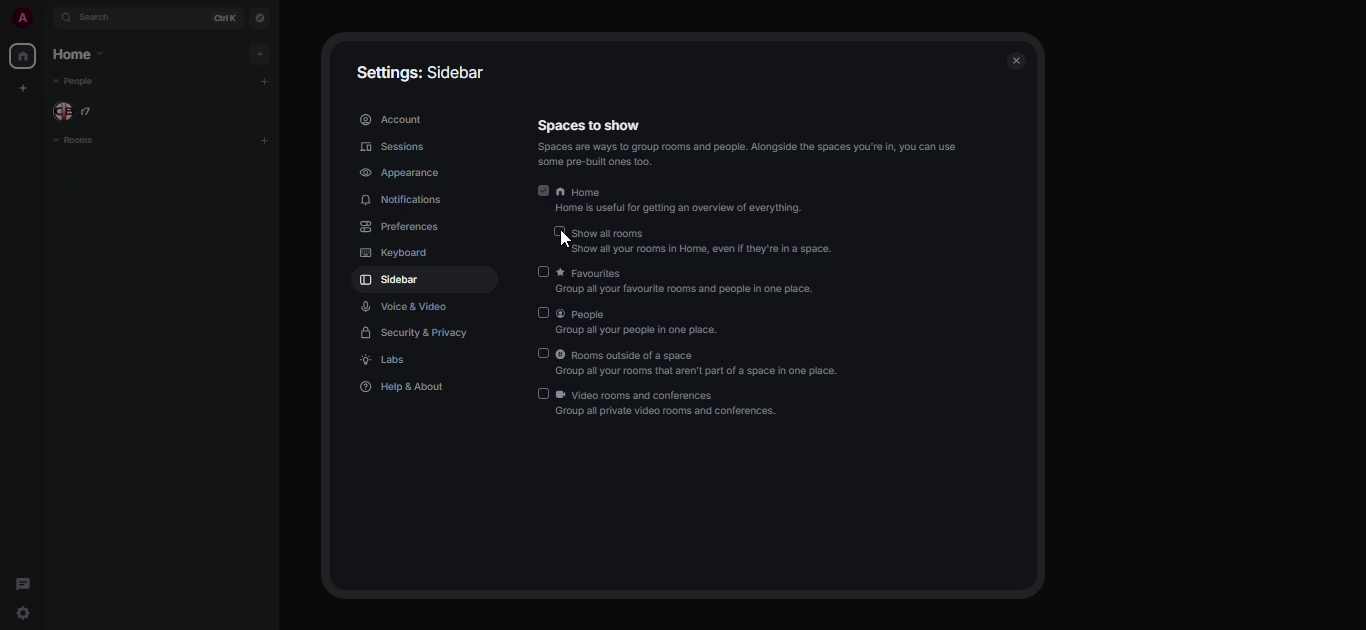 This screenshot has height=630, width=1366. Describe the element at coordinates (682, 201) in the screenshot. I see `home` at that location.